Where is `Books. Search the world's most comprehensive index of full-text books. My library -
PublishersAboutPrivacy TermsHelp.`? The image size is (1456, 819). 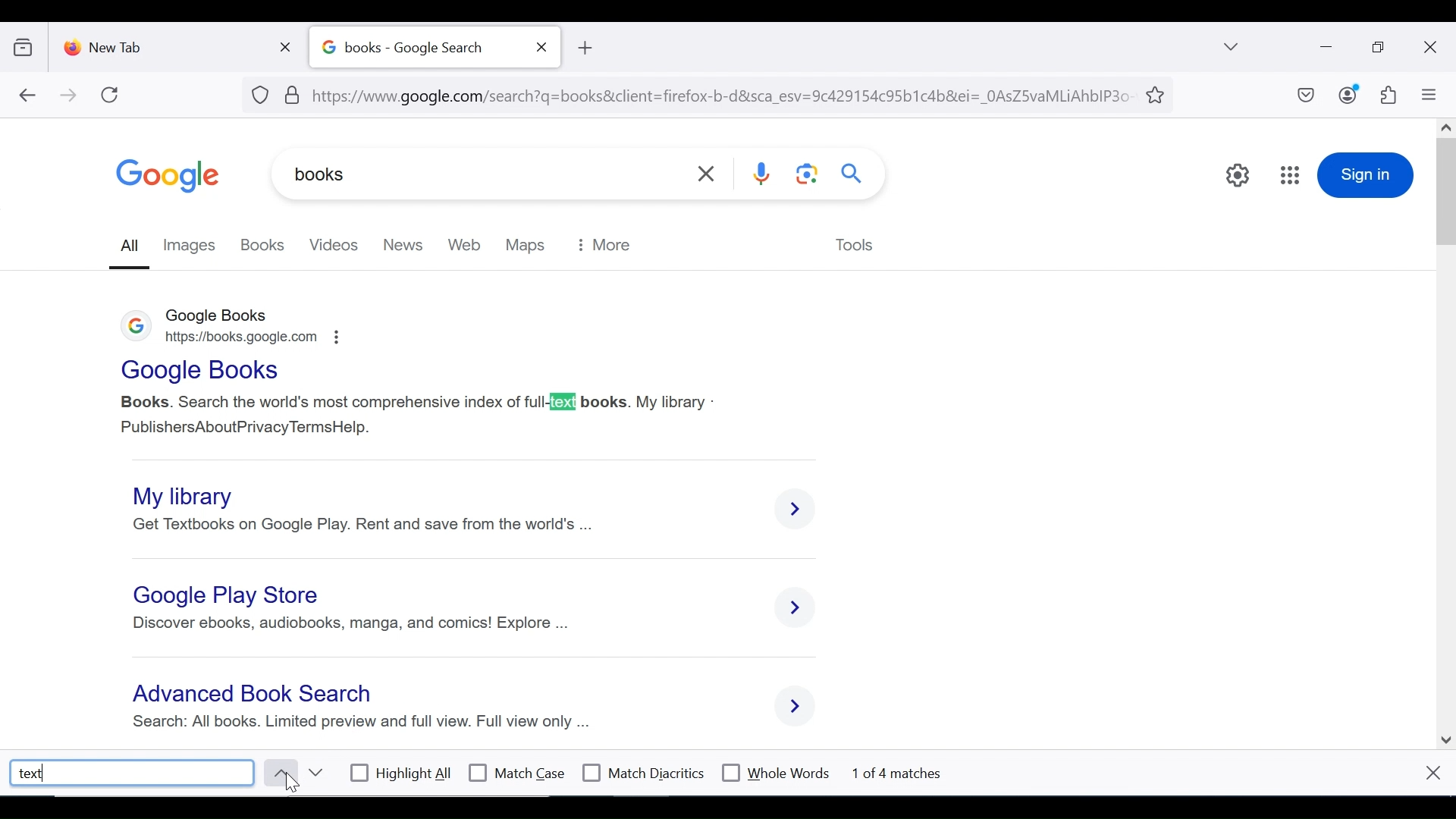
Books. Search the world's most comprehensive index of full-text books. My library -
PublishersAboutPrivacy TermsHelp. is located at coordinates (417, 416).